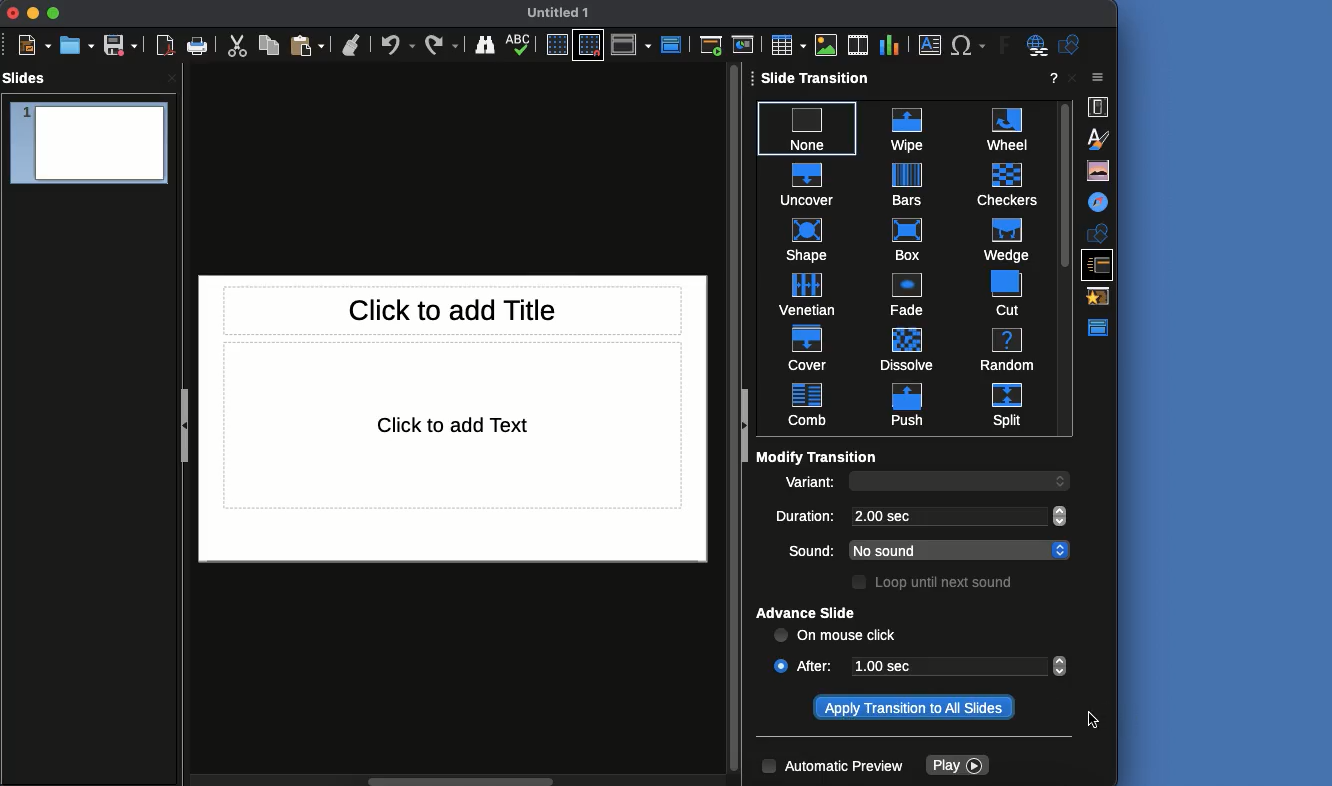 This screenshot has width=1332, height=786. I want to click on Start from current slide, so click(743, 44).